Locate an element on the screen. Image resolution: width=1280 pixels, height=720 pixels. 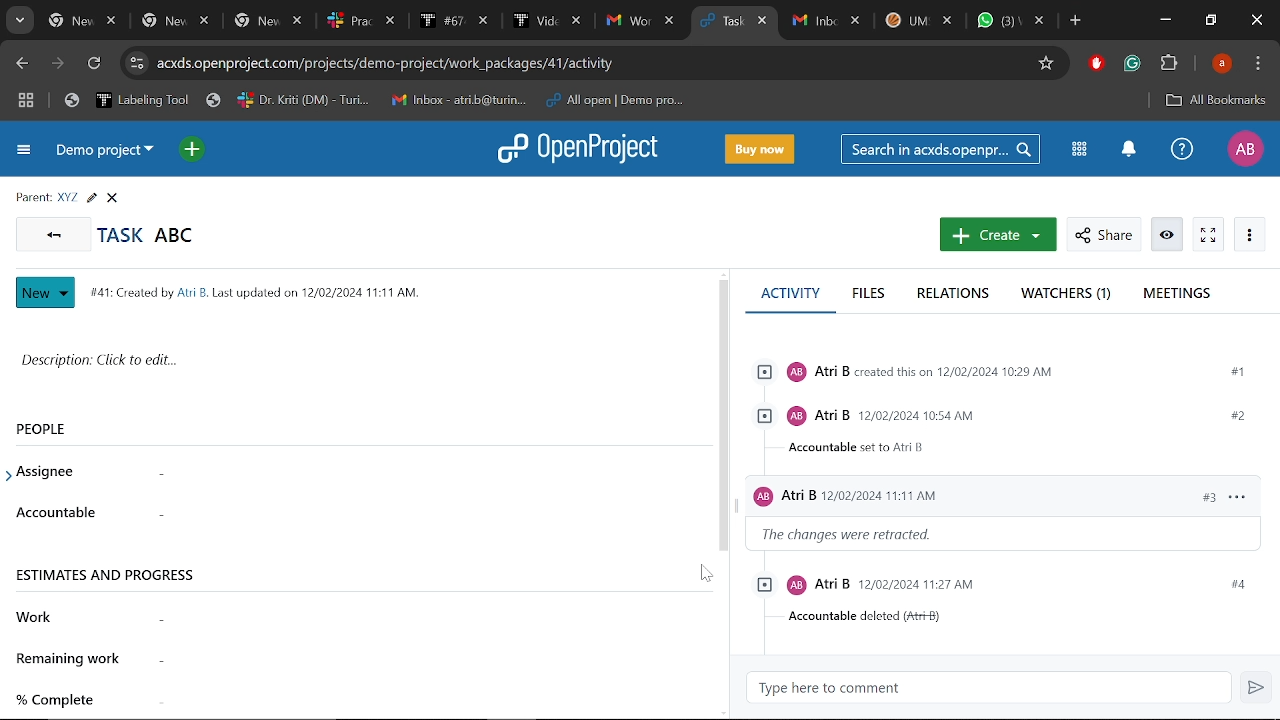
meetings is located at coordinates (1176, 295).